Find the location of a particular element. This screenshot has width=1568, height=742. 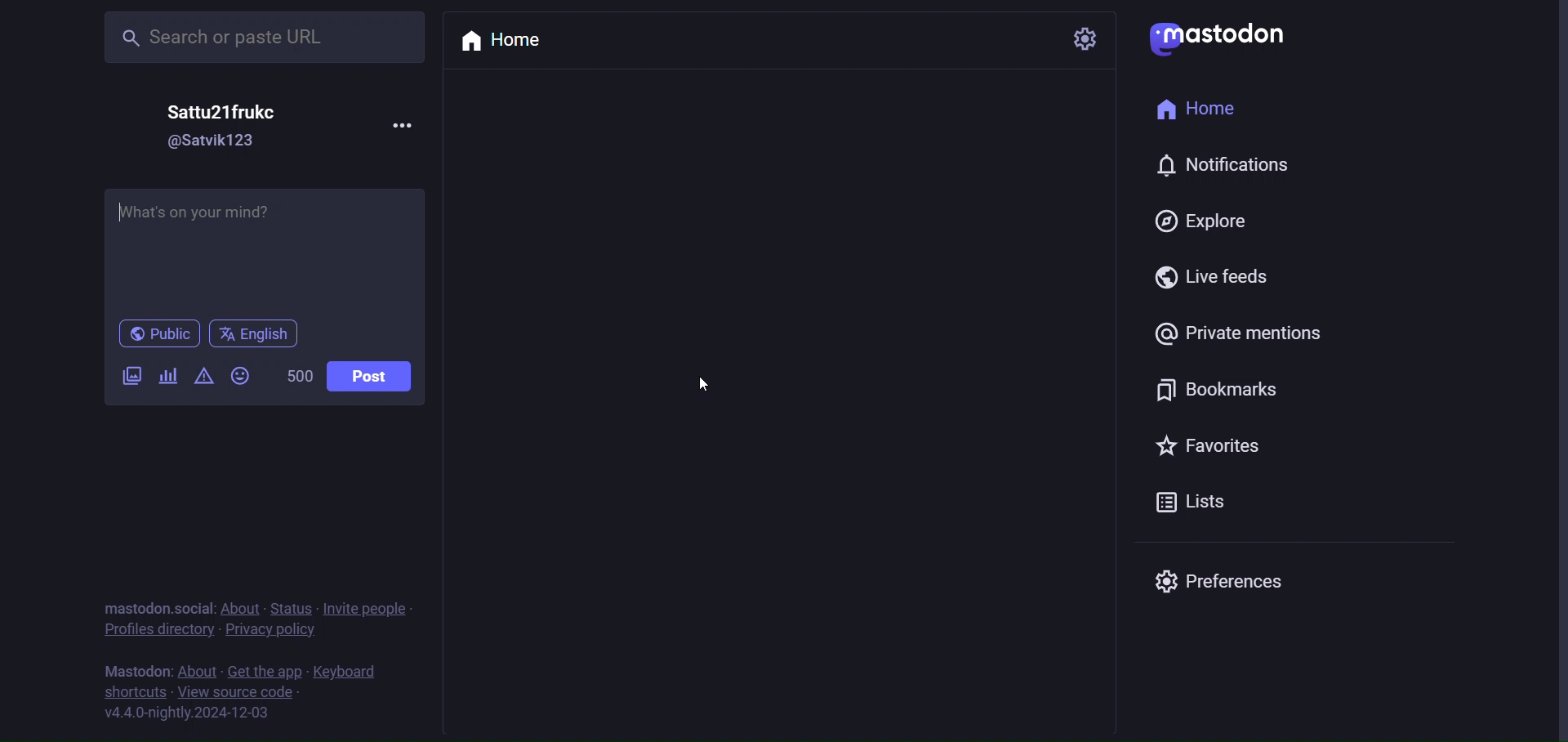

mastodon is located at coordinates (1228, 38).